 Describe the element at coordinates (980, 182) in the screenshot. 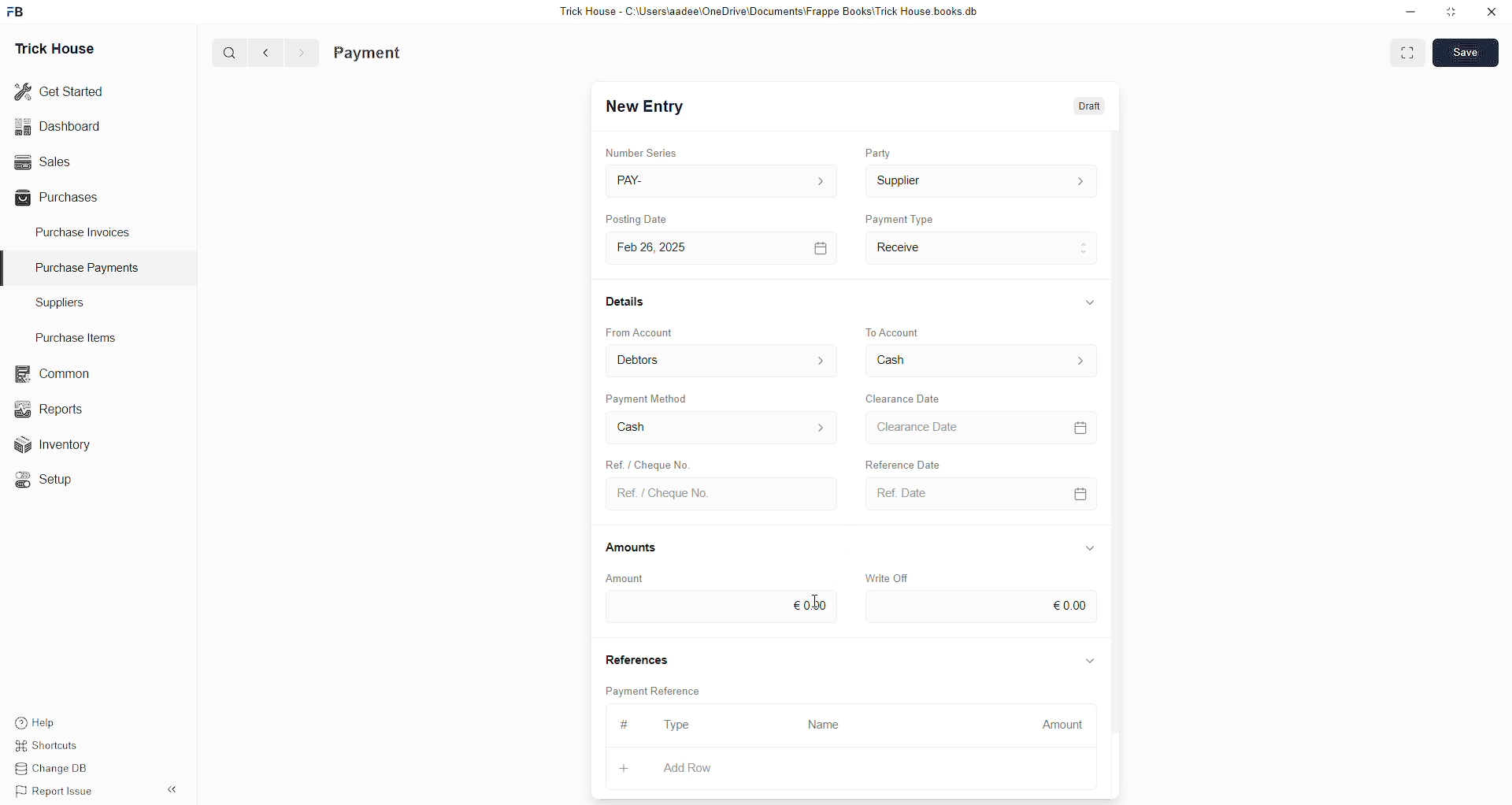

I see `Supplier` at that location.